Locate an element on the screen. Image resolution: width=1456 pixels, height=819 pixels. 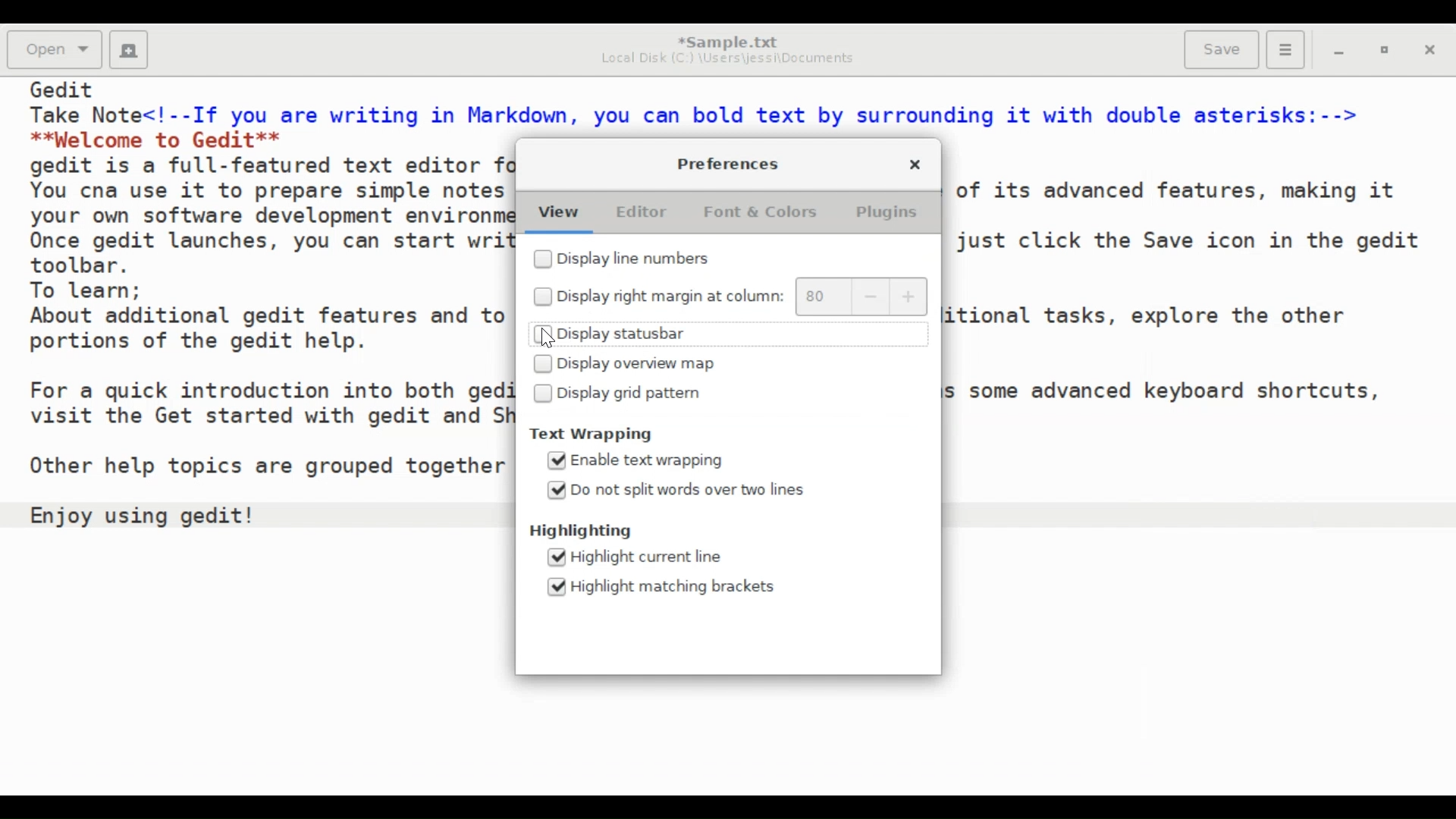
(un)select Enable text wrapping is located at coordinates (644, 462).